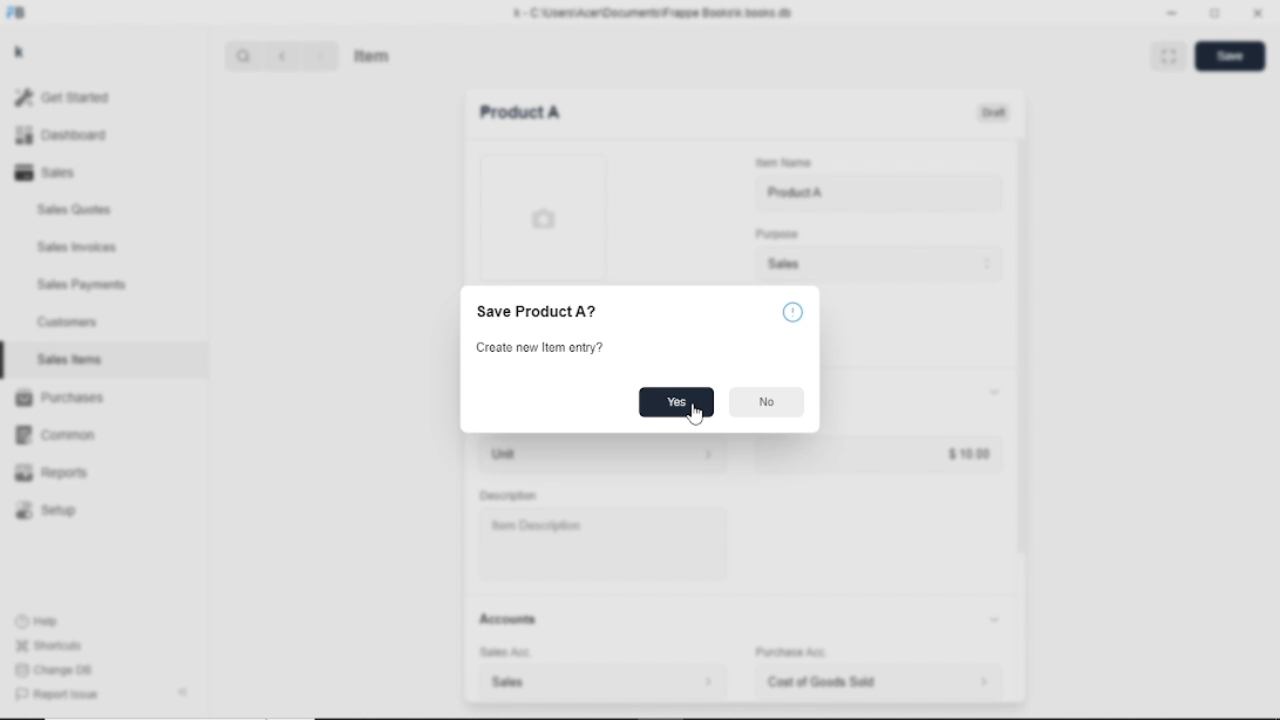 The image size is (1280, 720). Describe the element at coordinates (57, 671) in the screenshot. I see `Change DB` at that location.